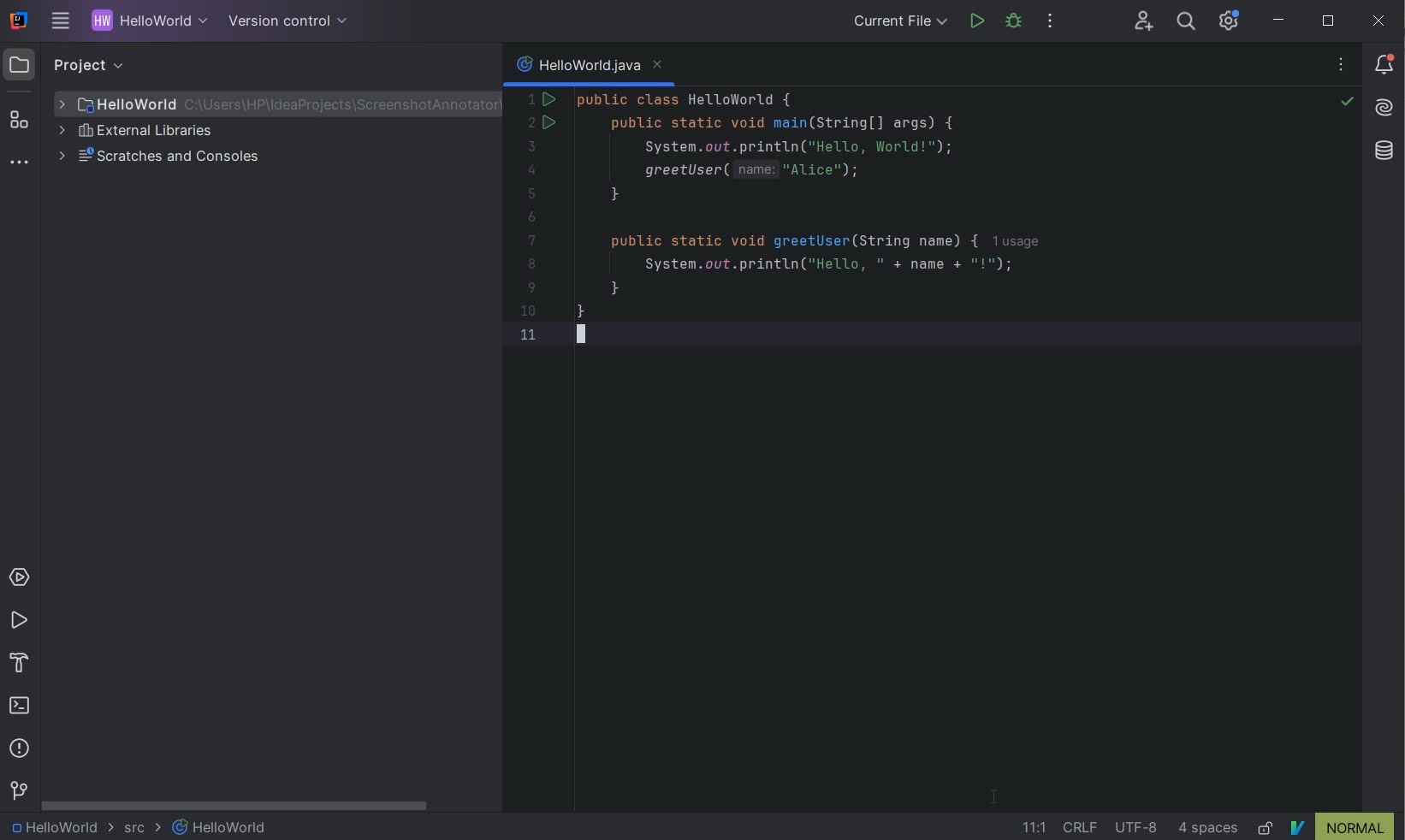 This screenshot has width=1405, height=840. I want to click on installed plugin, so click(1342, 826).